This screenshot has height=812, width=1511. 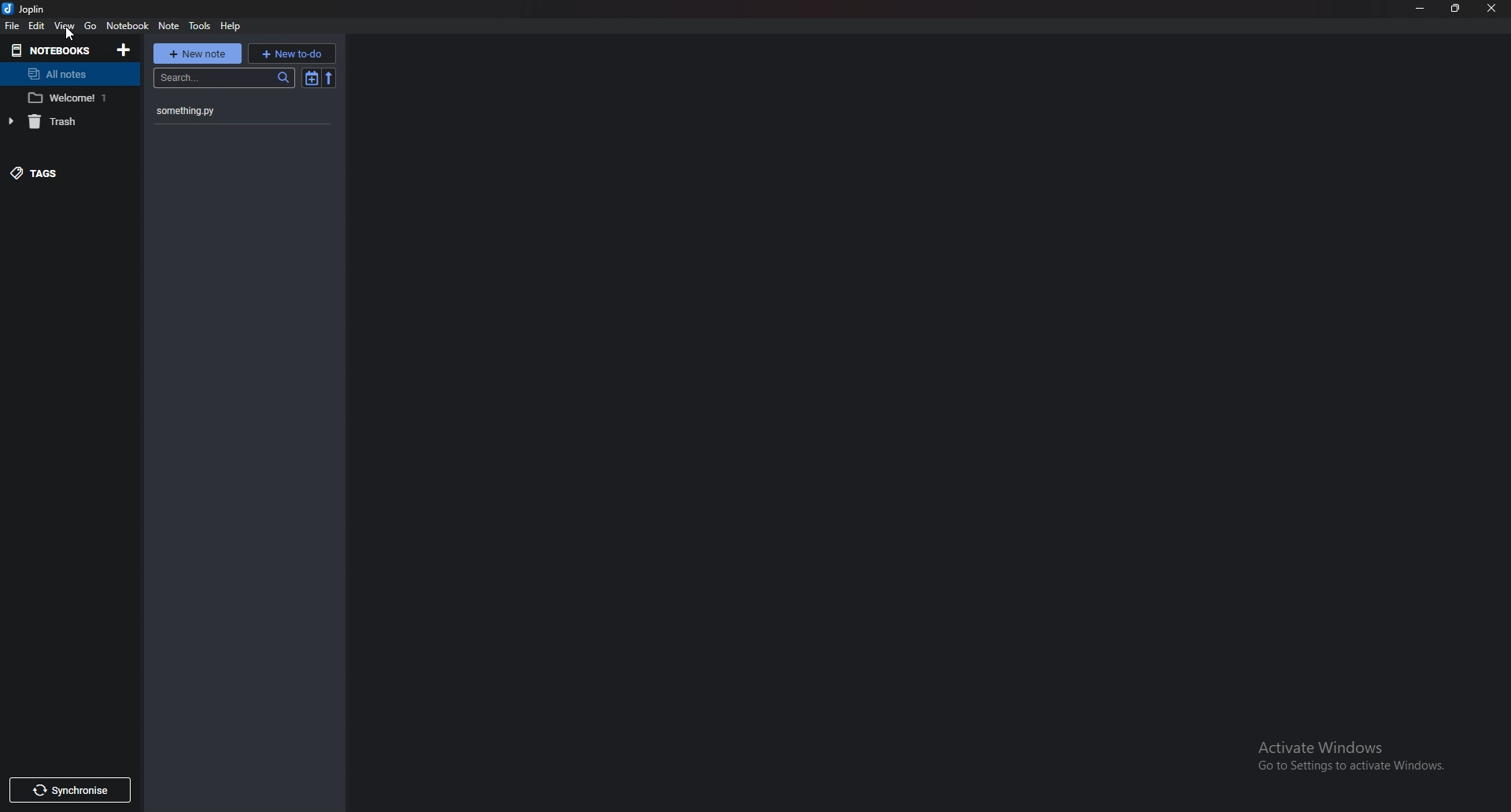 I want to click on activate windows, so click(x=1360, y=754).